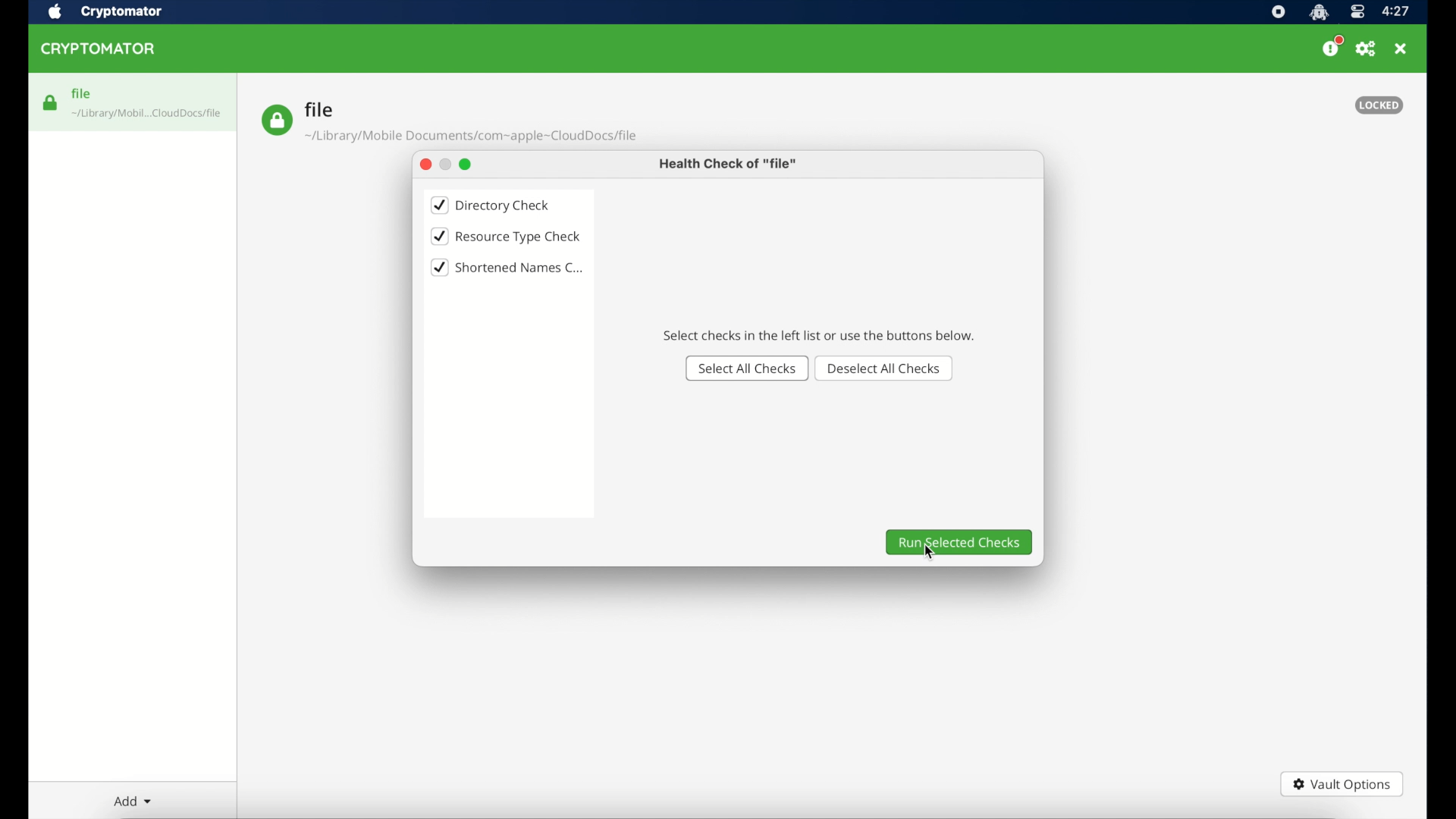 The width and height of the screenshot is (1456, 819). I want to click on minimize, so click(444, 164).